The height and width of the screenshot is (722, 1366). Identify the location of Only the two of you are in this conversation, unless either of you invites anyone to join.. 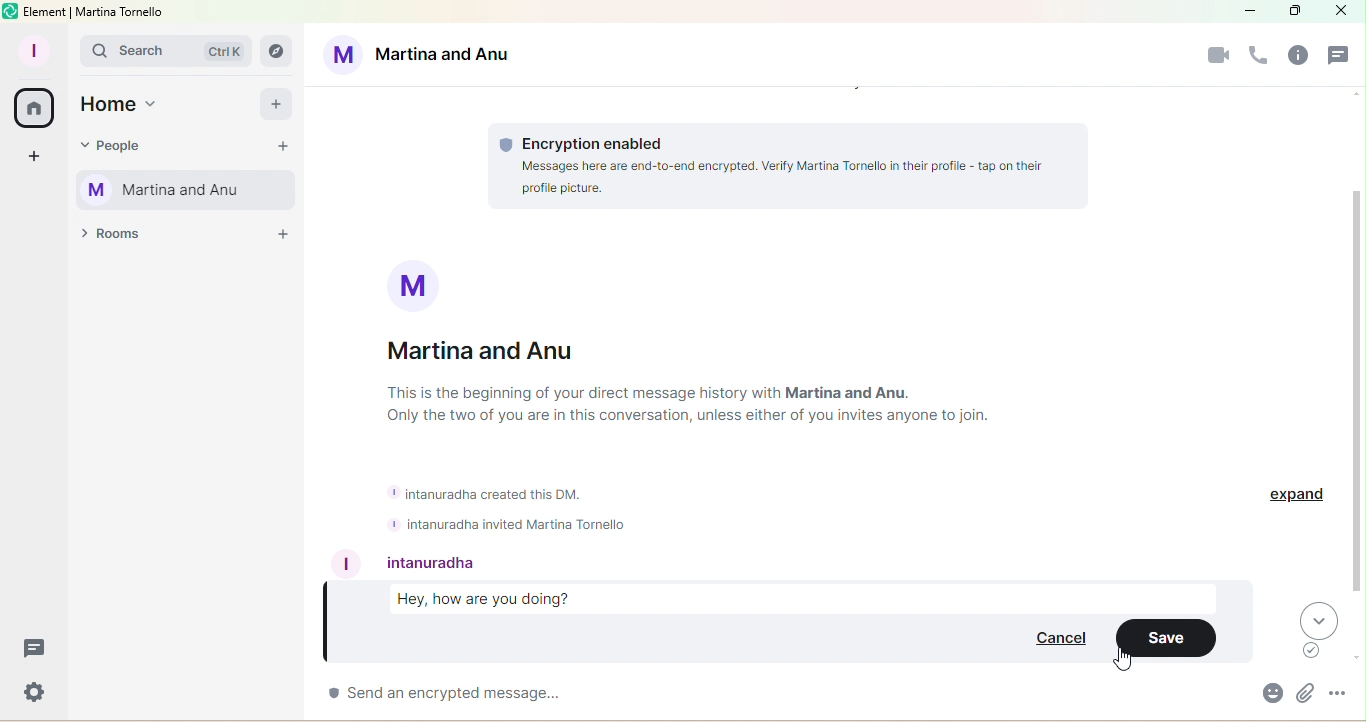
(705, 418).